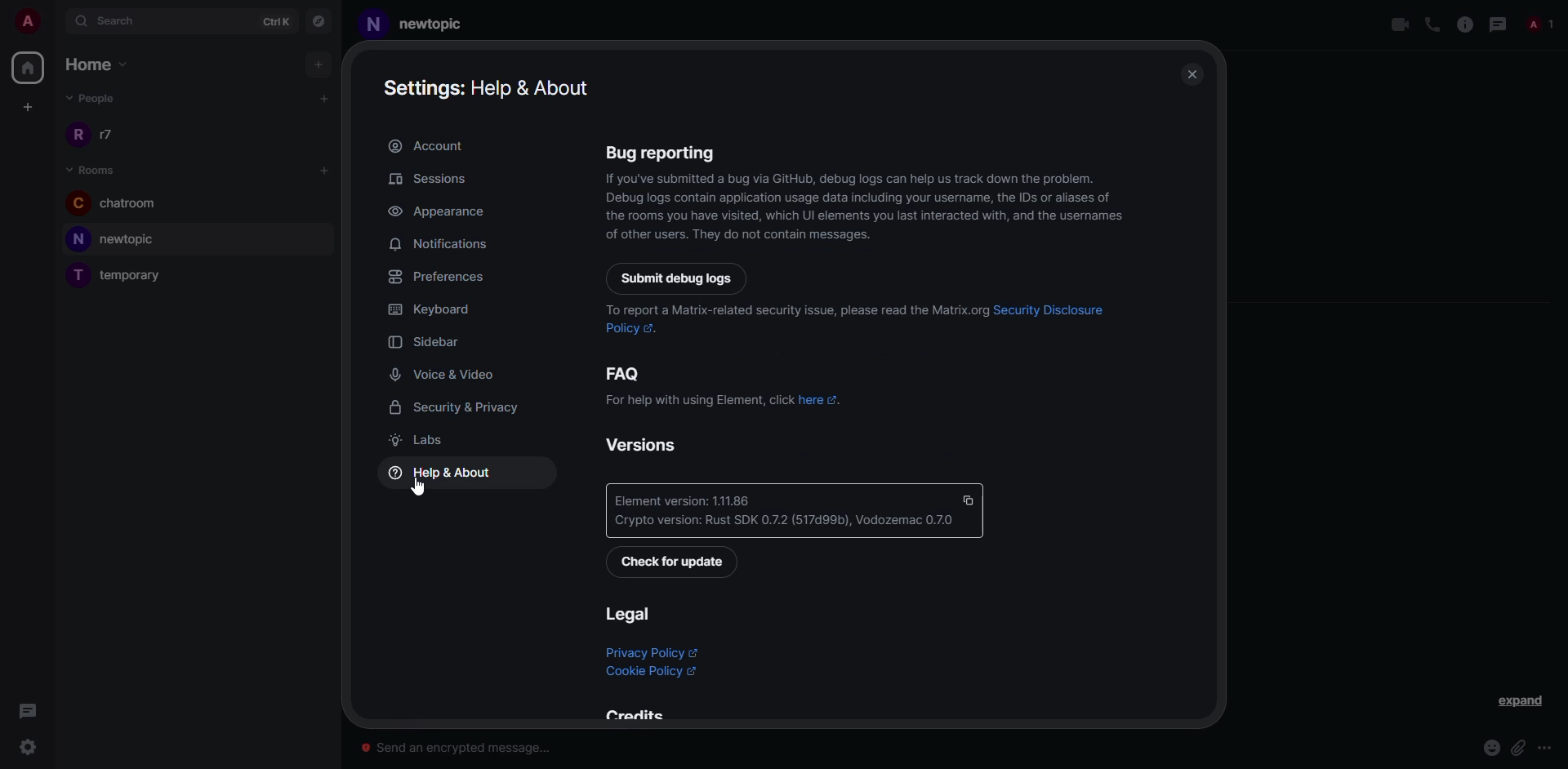  I want to click on security, so click(457, 408).